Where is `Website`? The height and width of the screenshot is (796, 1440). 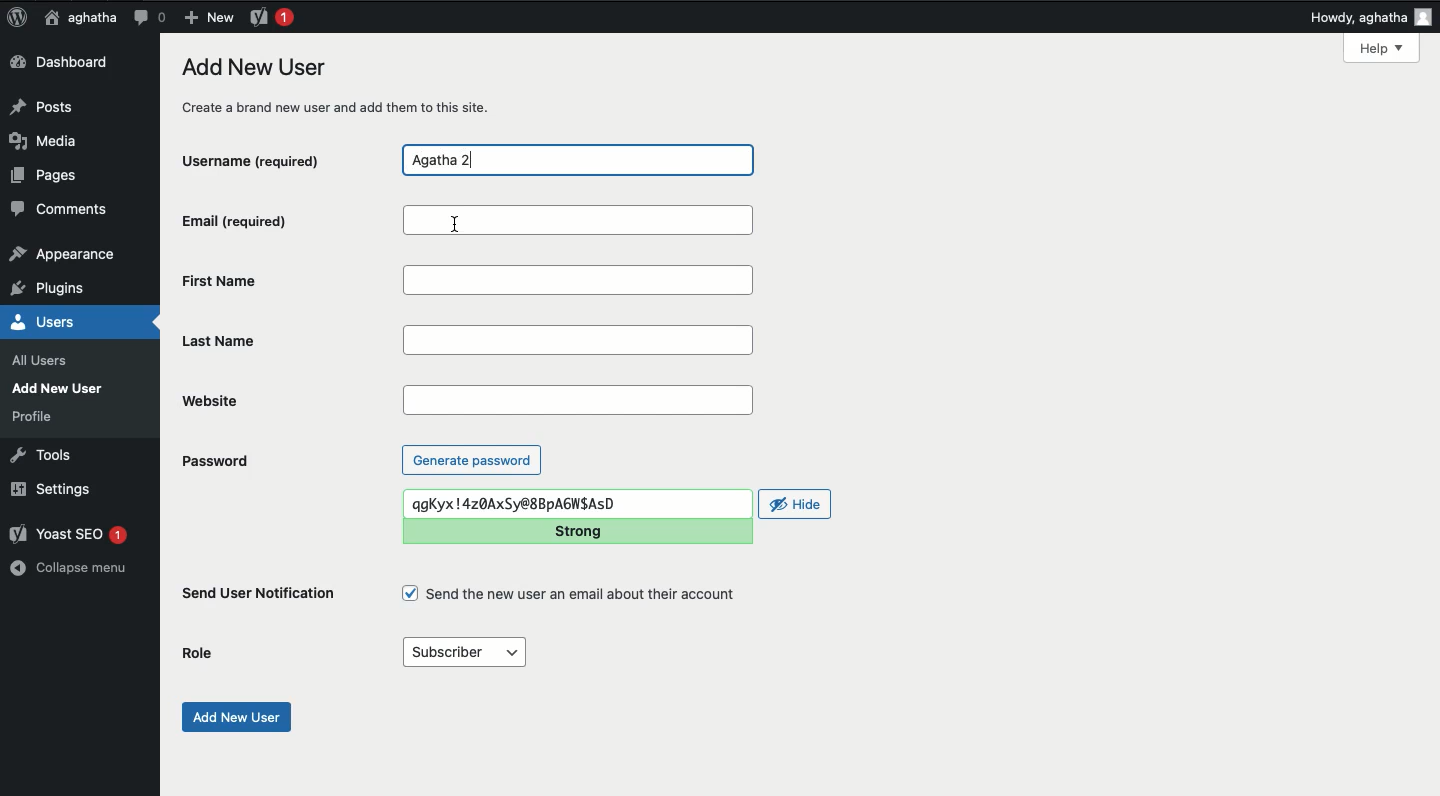
Website is located at coordinates (290, 401).